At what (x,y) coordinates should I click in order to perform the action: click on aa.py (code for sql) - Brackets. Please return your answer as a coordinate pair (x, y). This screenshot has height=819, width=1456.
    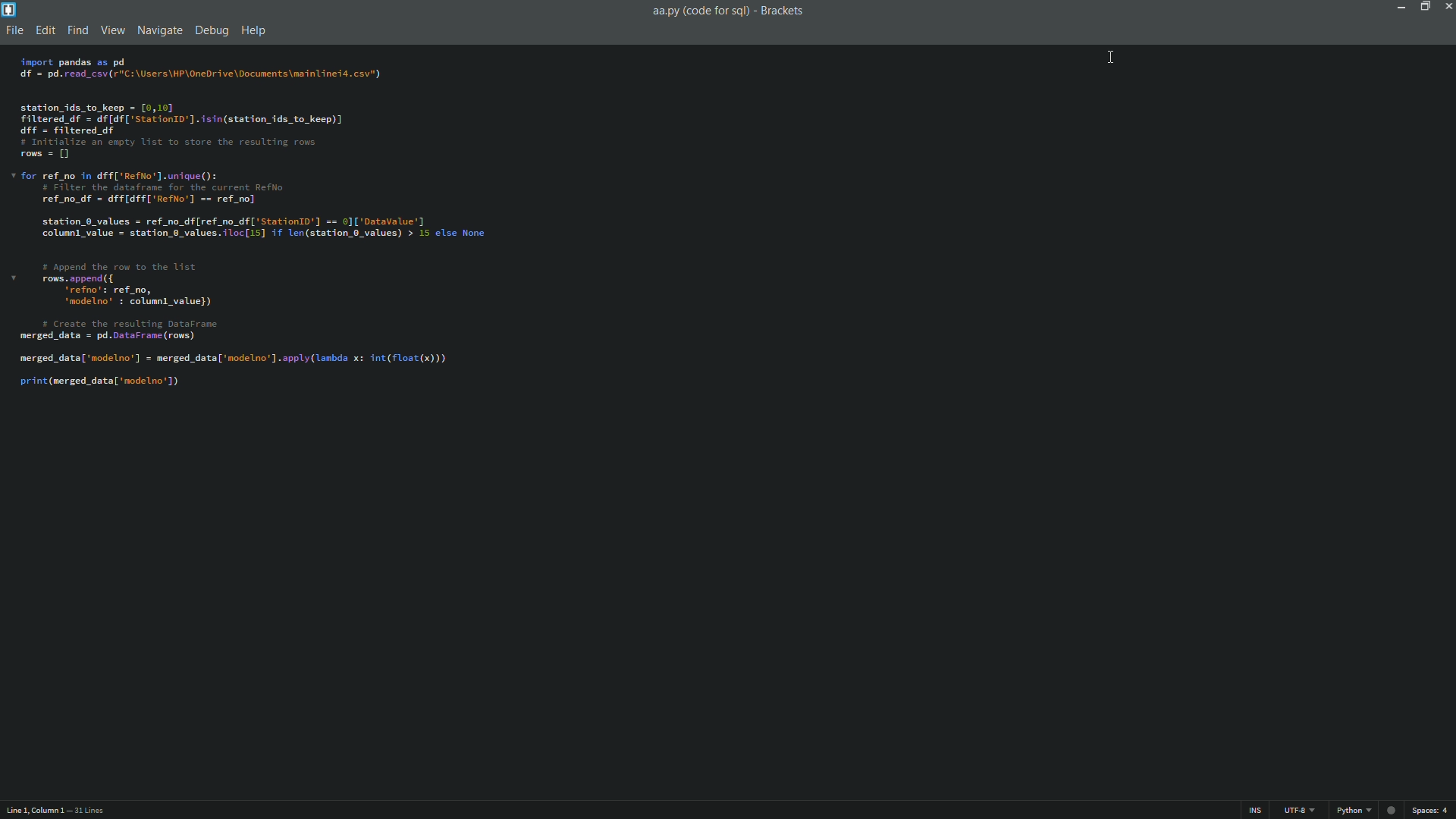
    Looking at the image, I should click on (733, 14).